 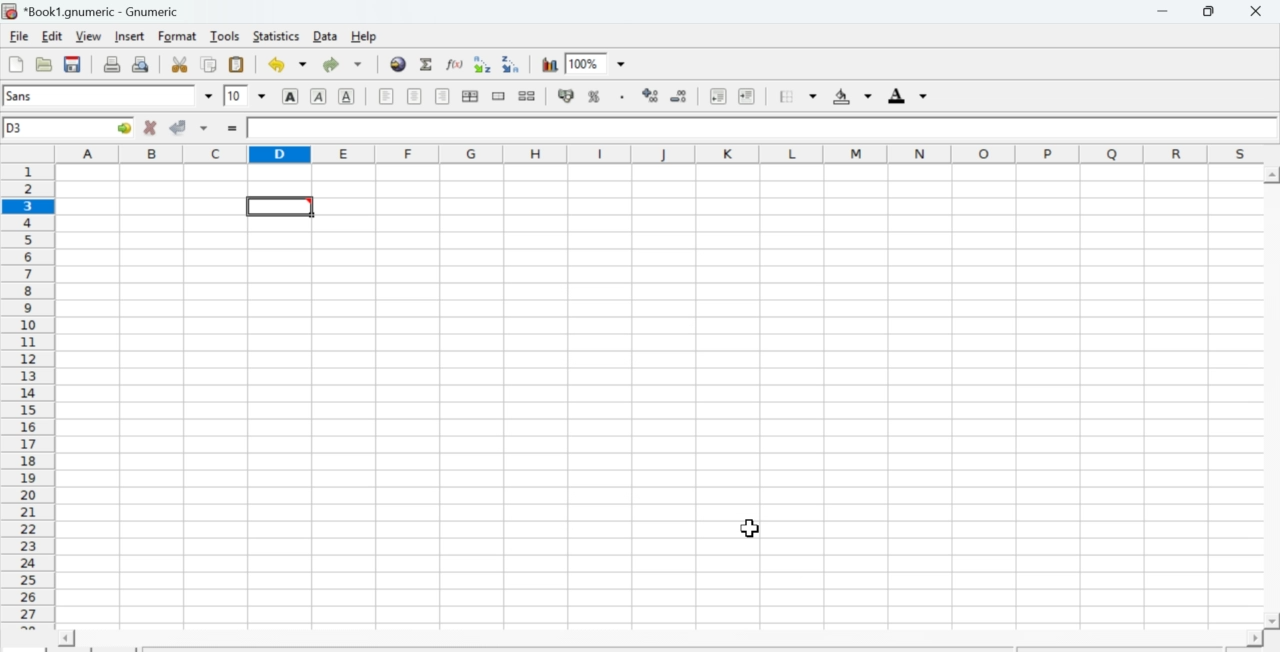 I want to click on Minimize, so click(x=1162, y=12).